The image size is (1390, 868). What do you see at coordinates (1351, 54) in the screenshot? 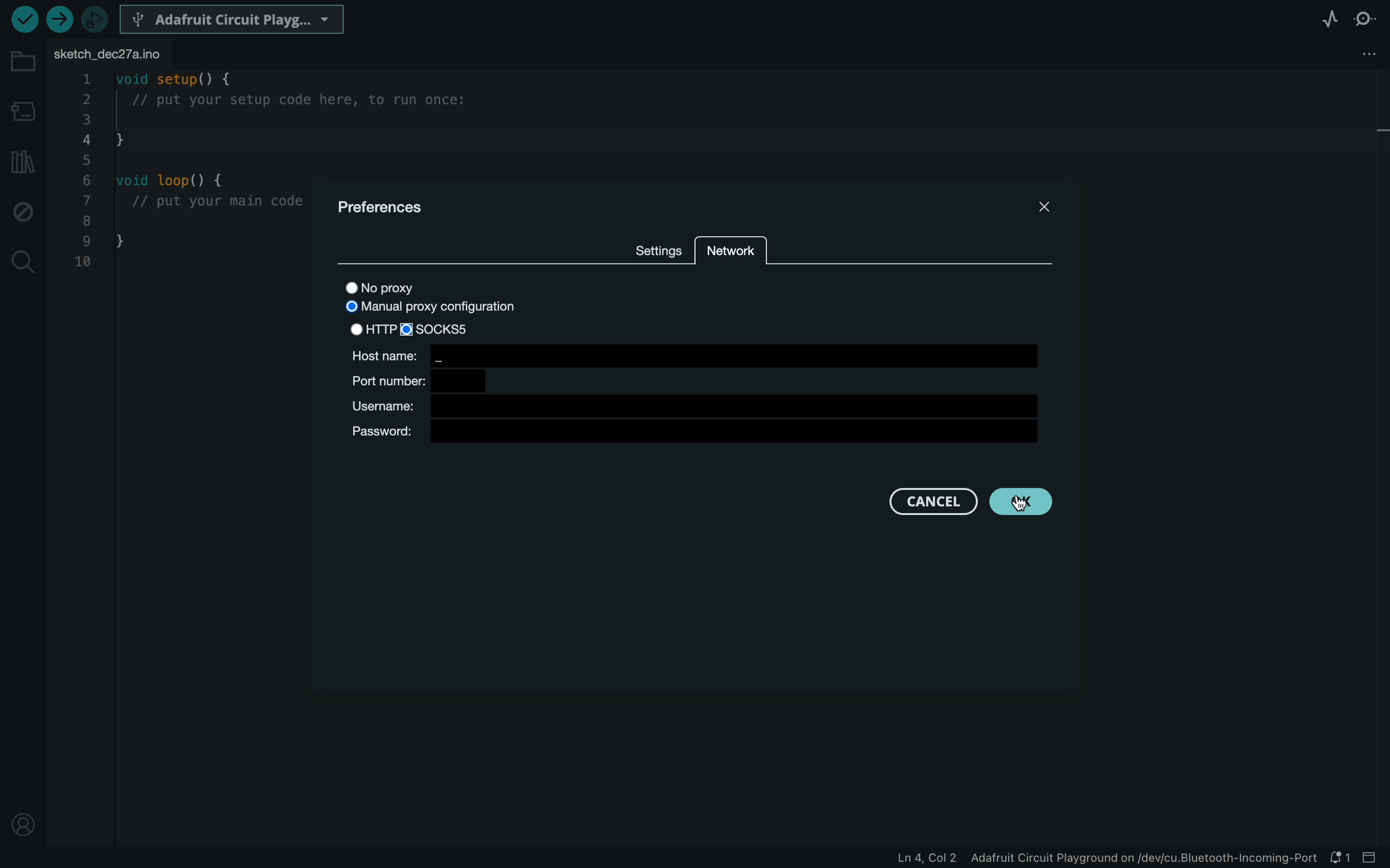
I see `file setting` at bounding box center [1351, 54].